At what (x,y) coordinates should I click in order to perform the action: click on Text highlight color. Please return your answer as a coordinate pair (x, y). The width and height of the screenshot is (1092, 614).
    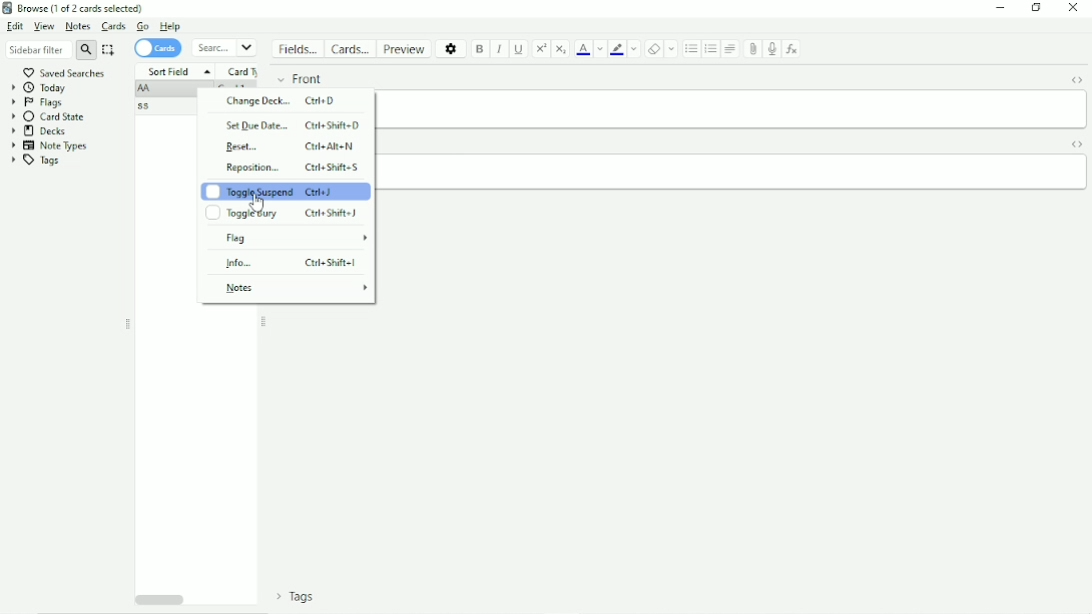
    Looking at the image, I should click on (617, 50).